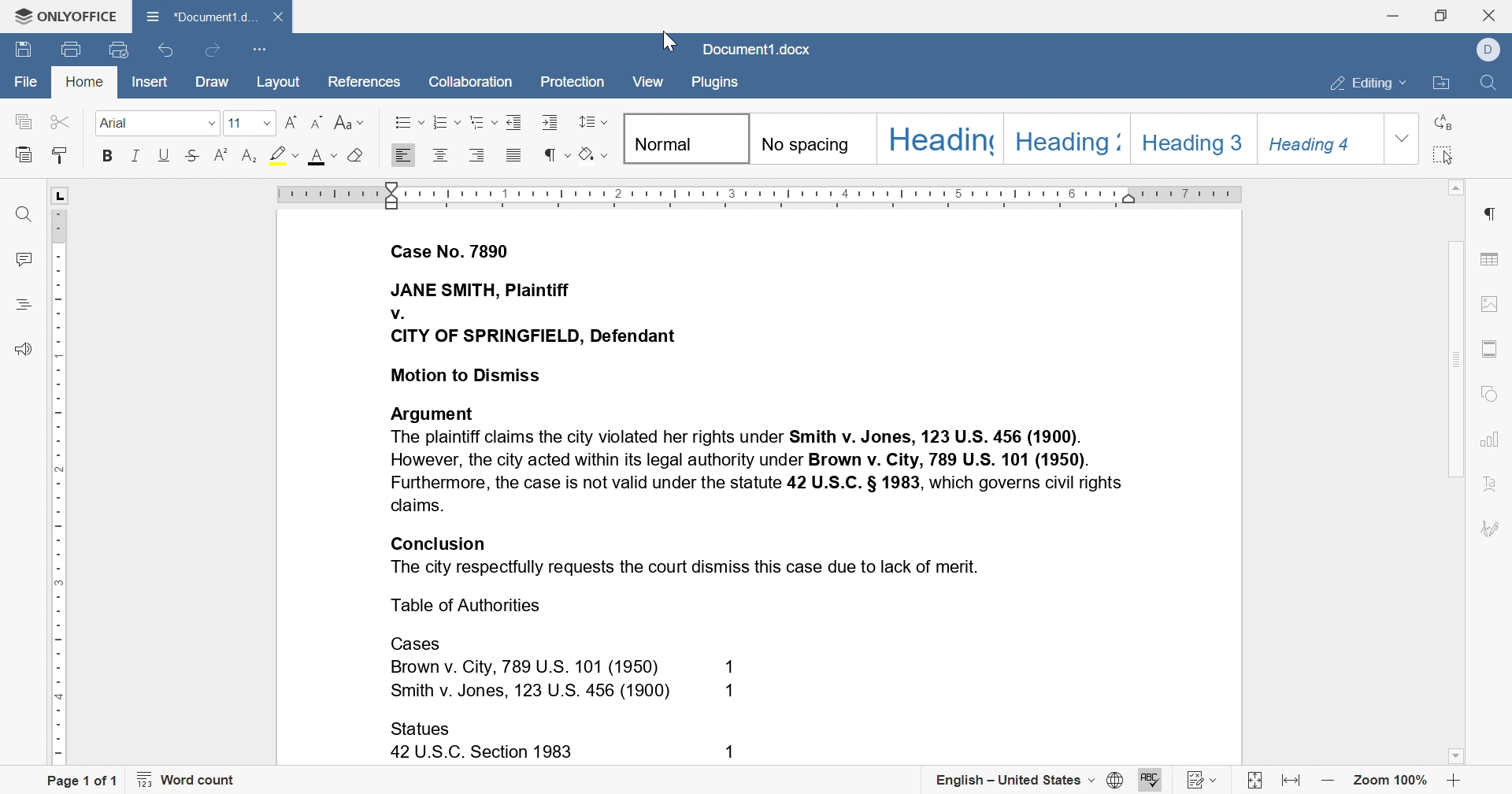  Describe the element at coordinates (517, 121) in the screenshot. I see `decrease indent` at that location.